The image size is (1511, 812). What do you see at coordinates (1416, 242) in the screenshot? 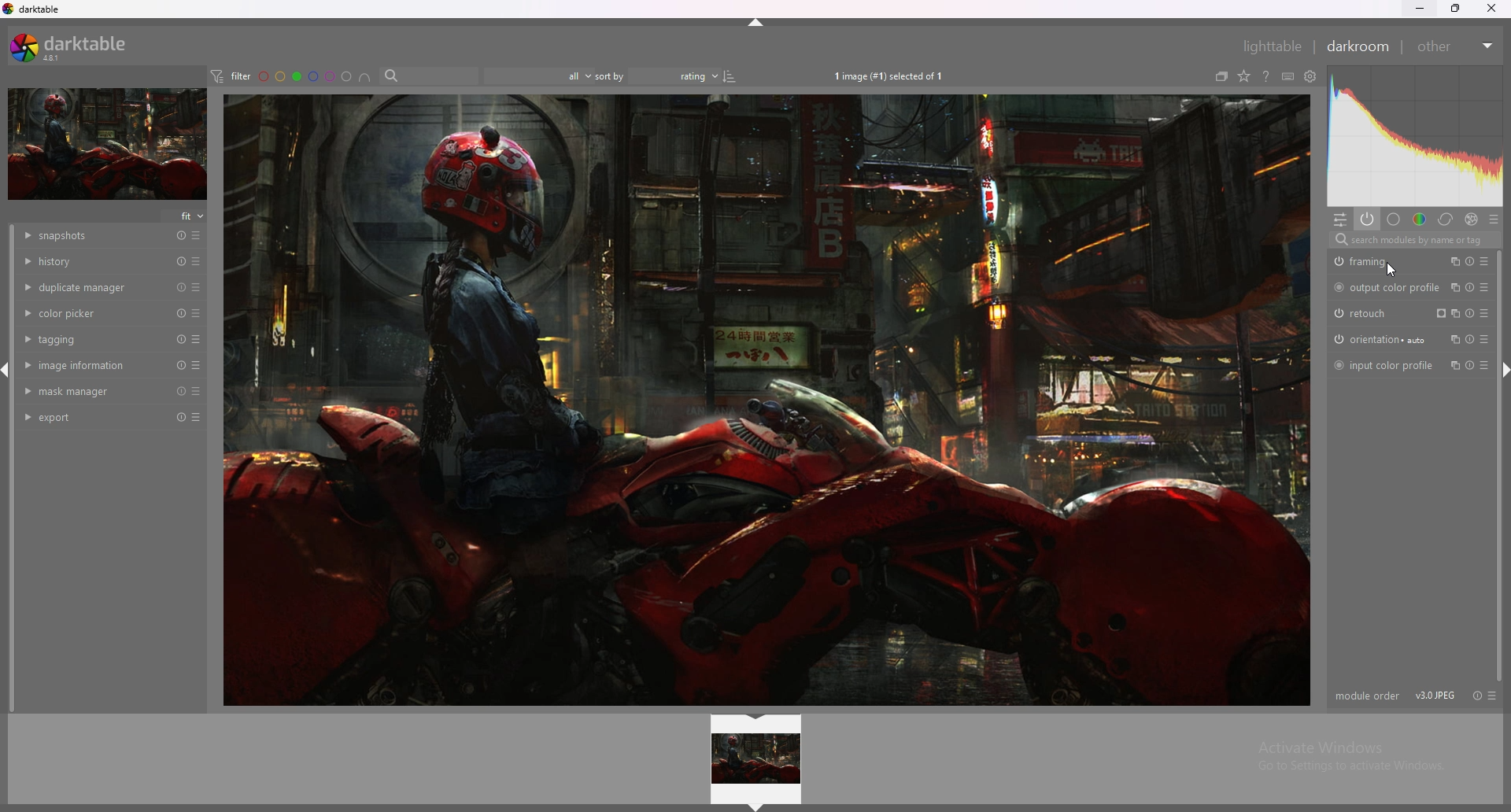
I see `search modules` at bounding box center [1416, 242].